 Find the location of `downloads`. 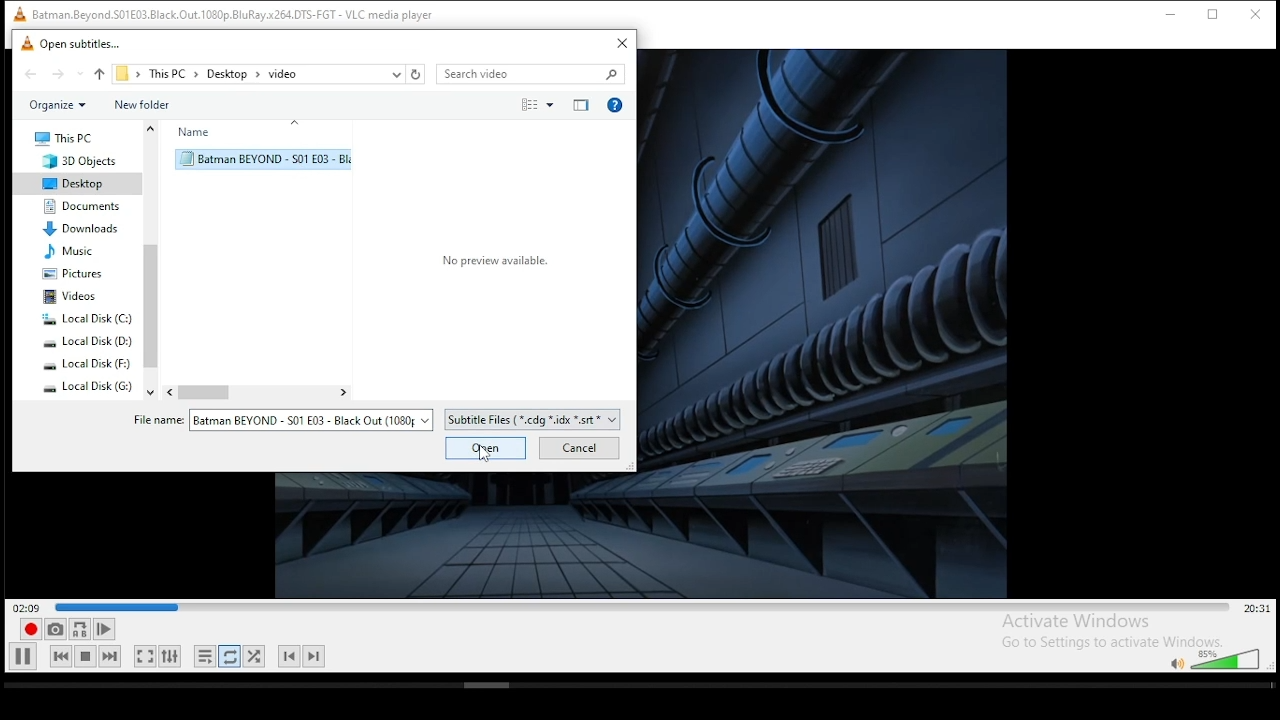

downloads is located at coordinates (84, 229).